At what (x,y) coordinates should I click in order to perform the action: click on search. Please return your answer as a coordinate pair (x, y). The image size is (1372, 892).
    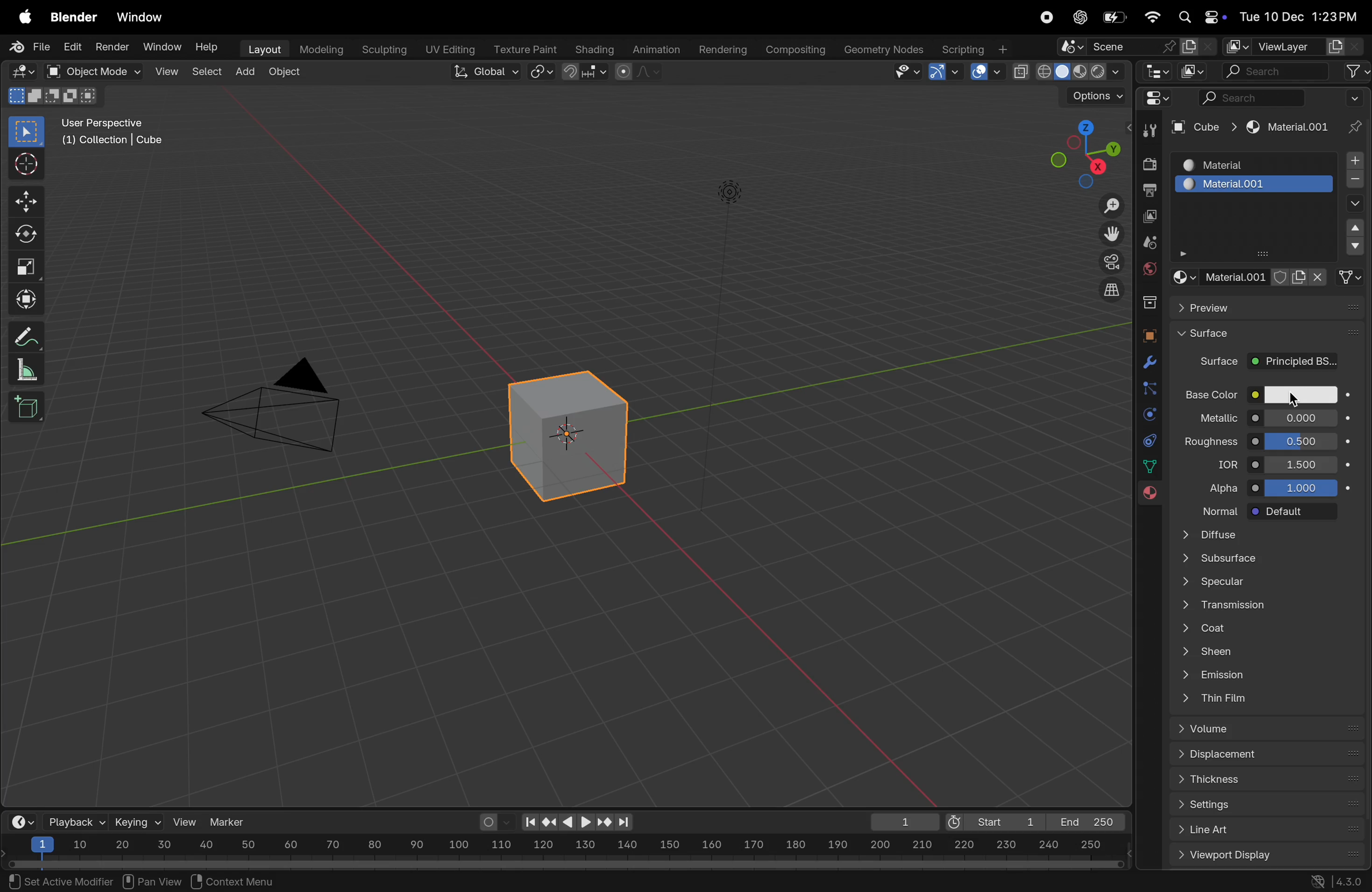
    Looking at the image, I should click on (1276, 71).